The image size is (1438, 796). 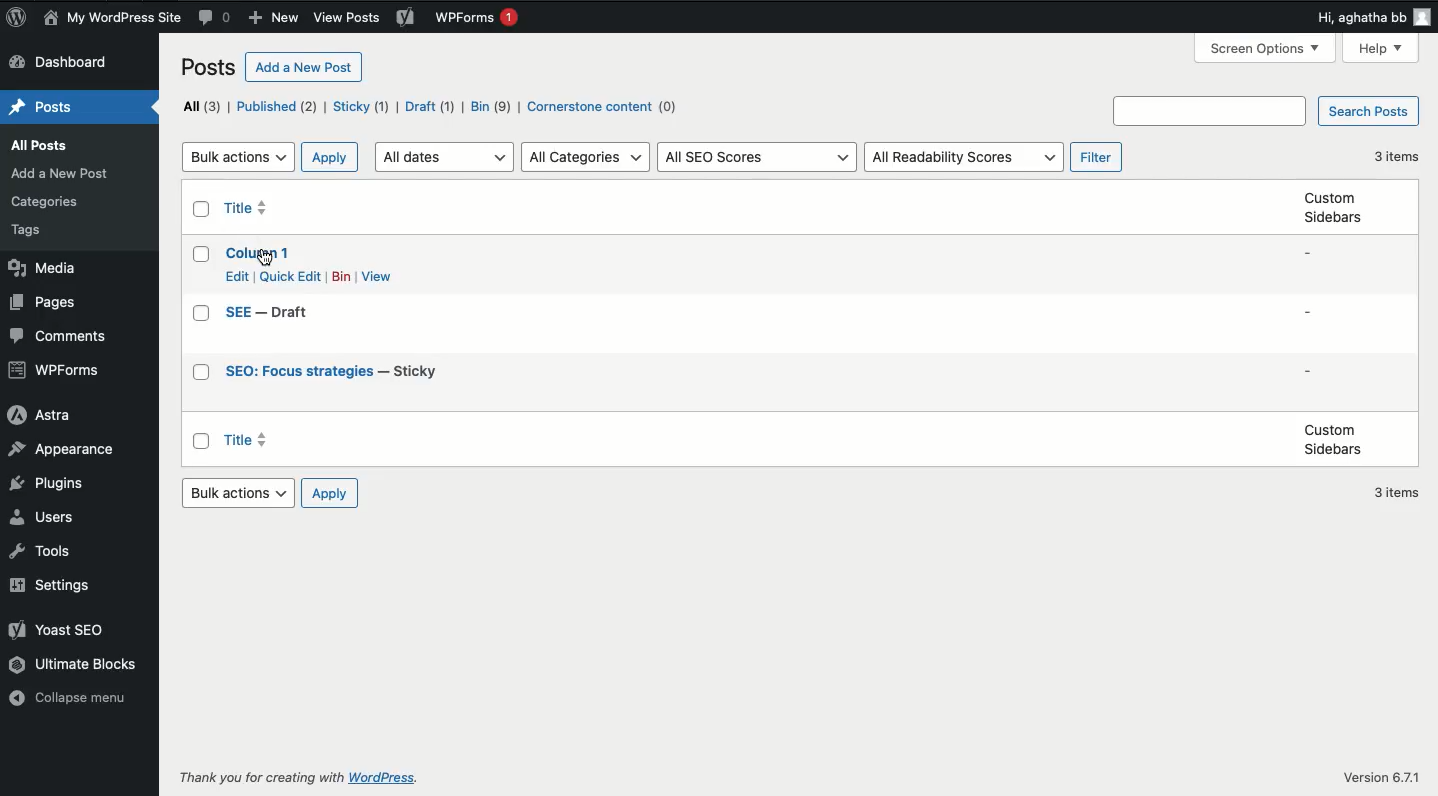 I want to click on Help, so click(x=1380, y=48).